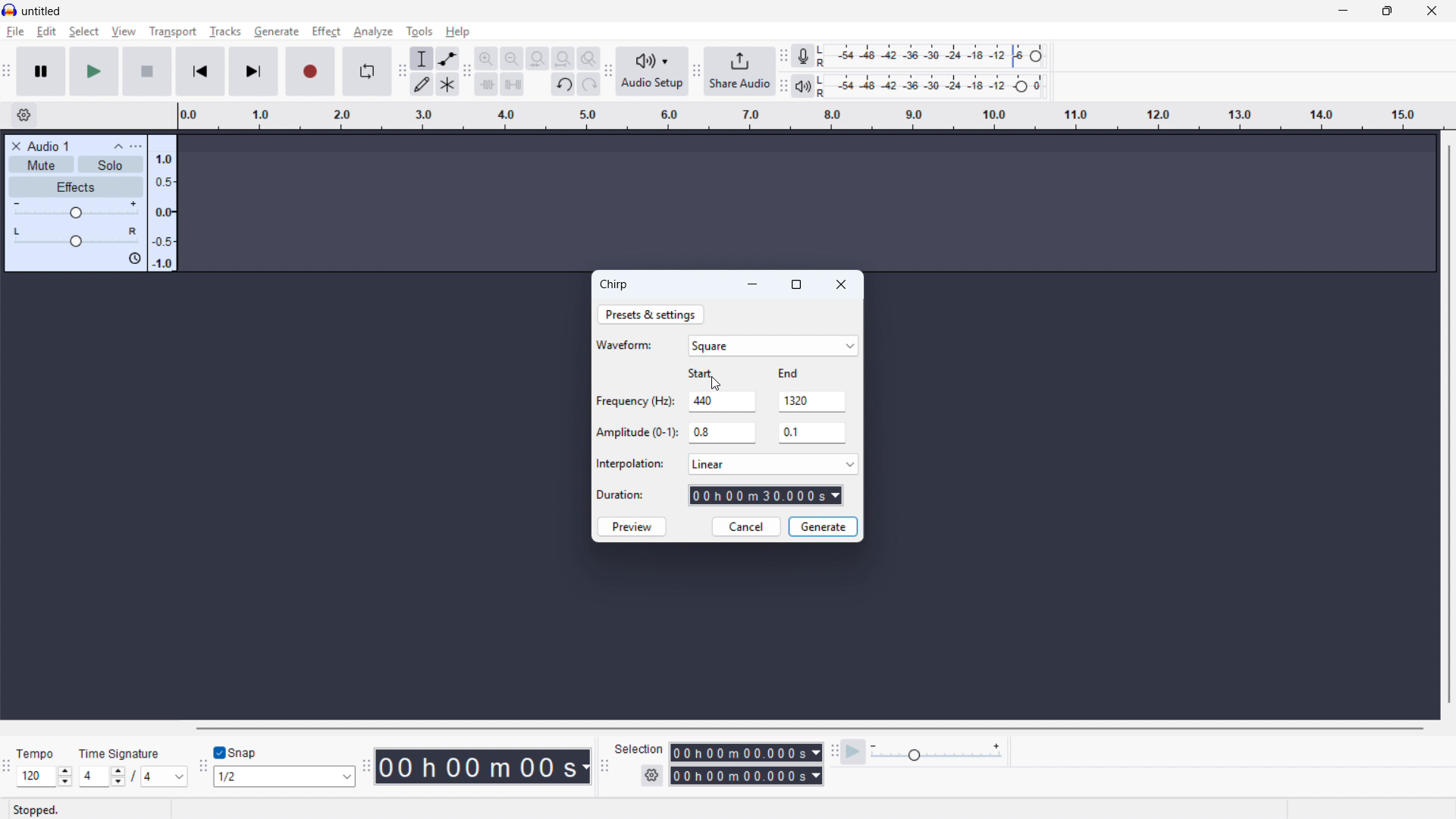 The height and width of the screenshot is (819, 1456). What do you see at coordinates (15, 33) in the screenshot?
I see `File ` at bounding box center [15, 33].